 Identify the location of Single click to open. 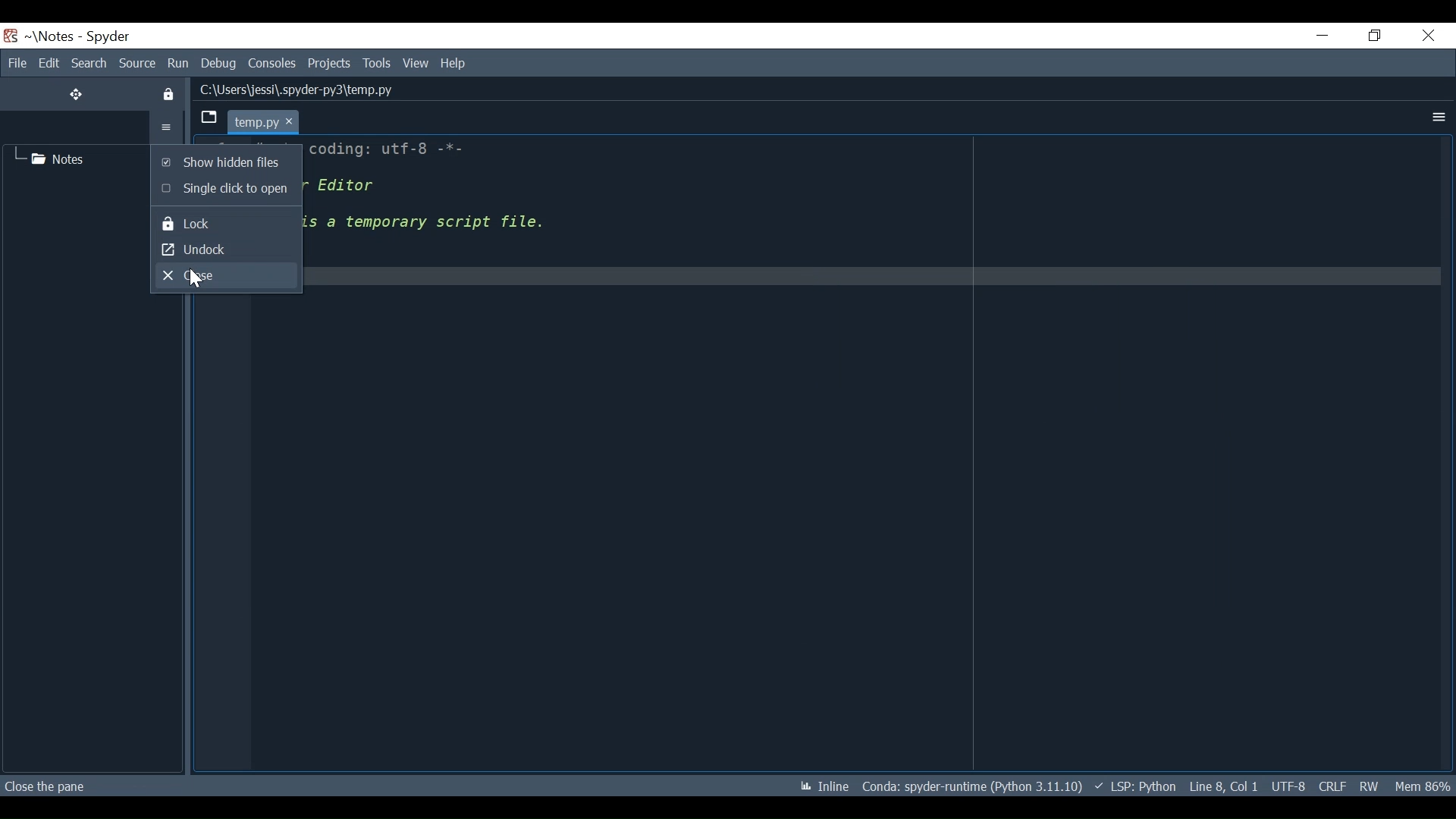
(224, 190).